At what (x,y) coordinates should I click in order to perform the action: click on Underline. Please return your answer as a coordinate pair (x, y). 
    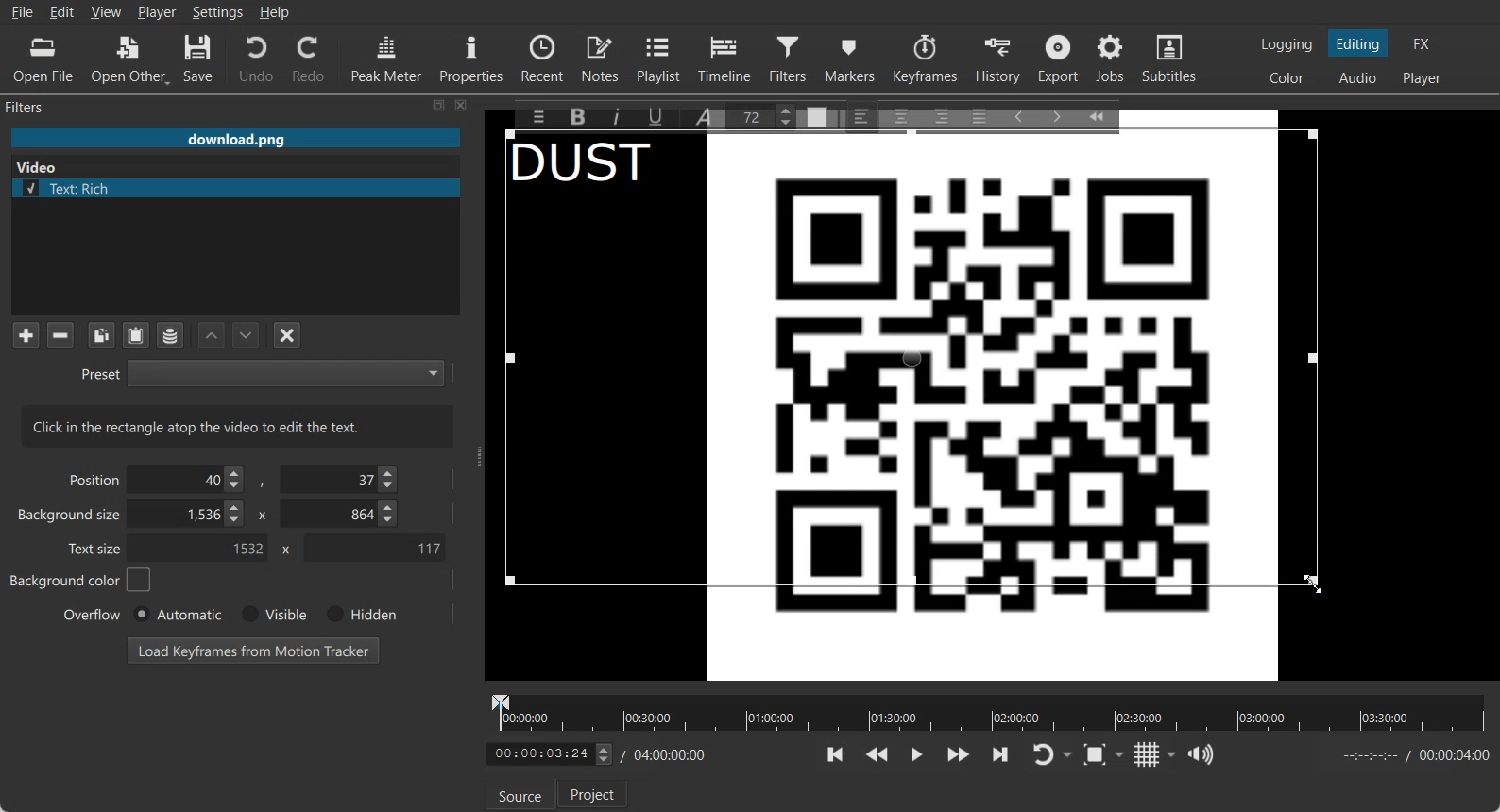
    Looking at the image, I should click on (662, 116).